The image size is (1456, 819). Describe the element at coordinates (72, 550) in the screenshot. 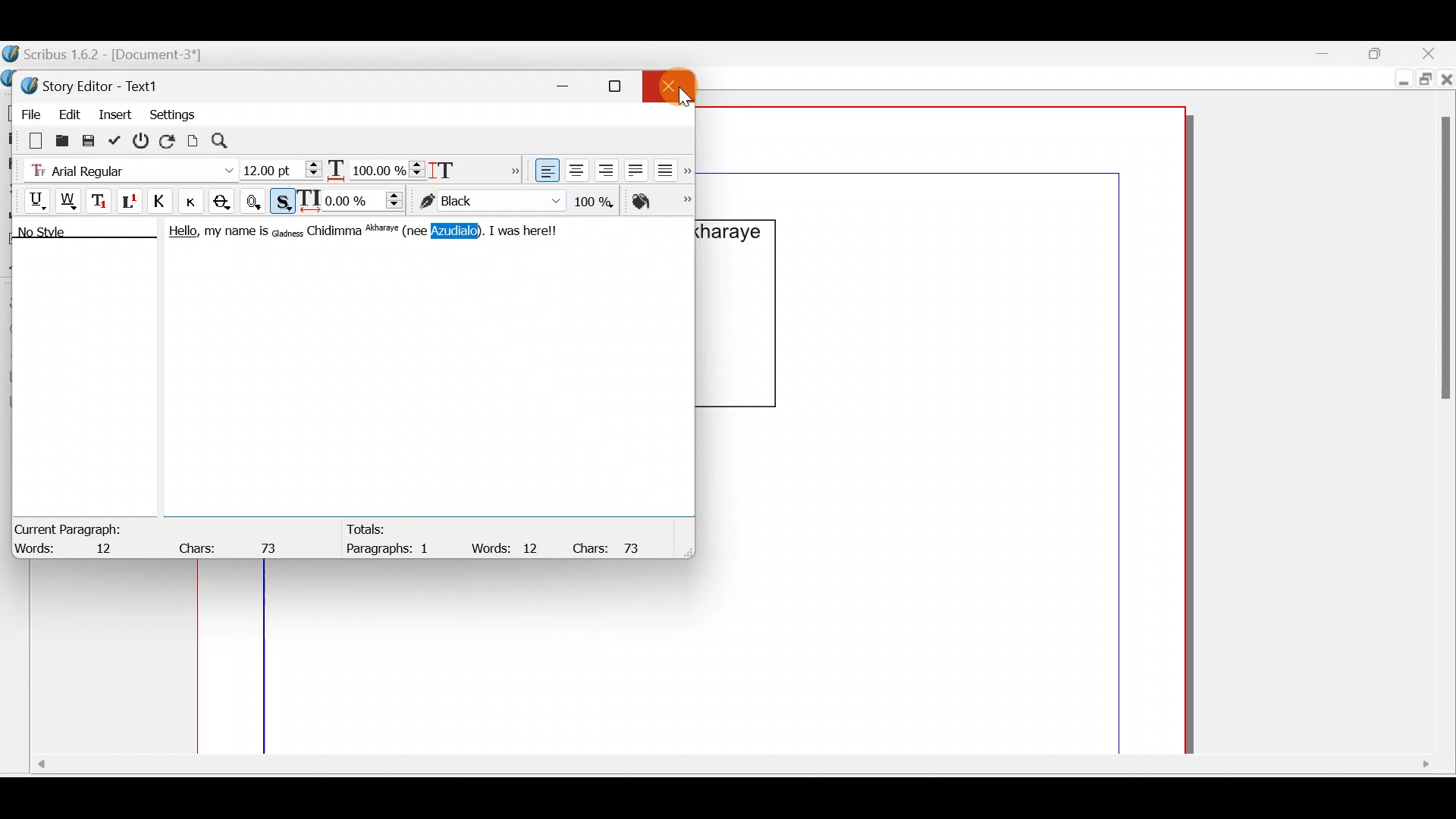

I see `Words: 12` at that location.